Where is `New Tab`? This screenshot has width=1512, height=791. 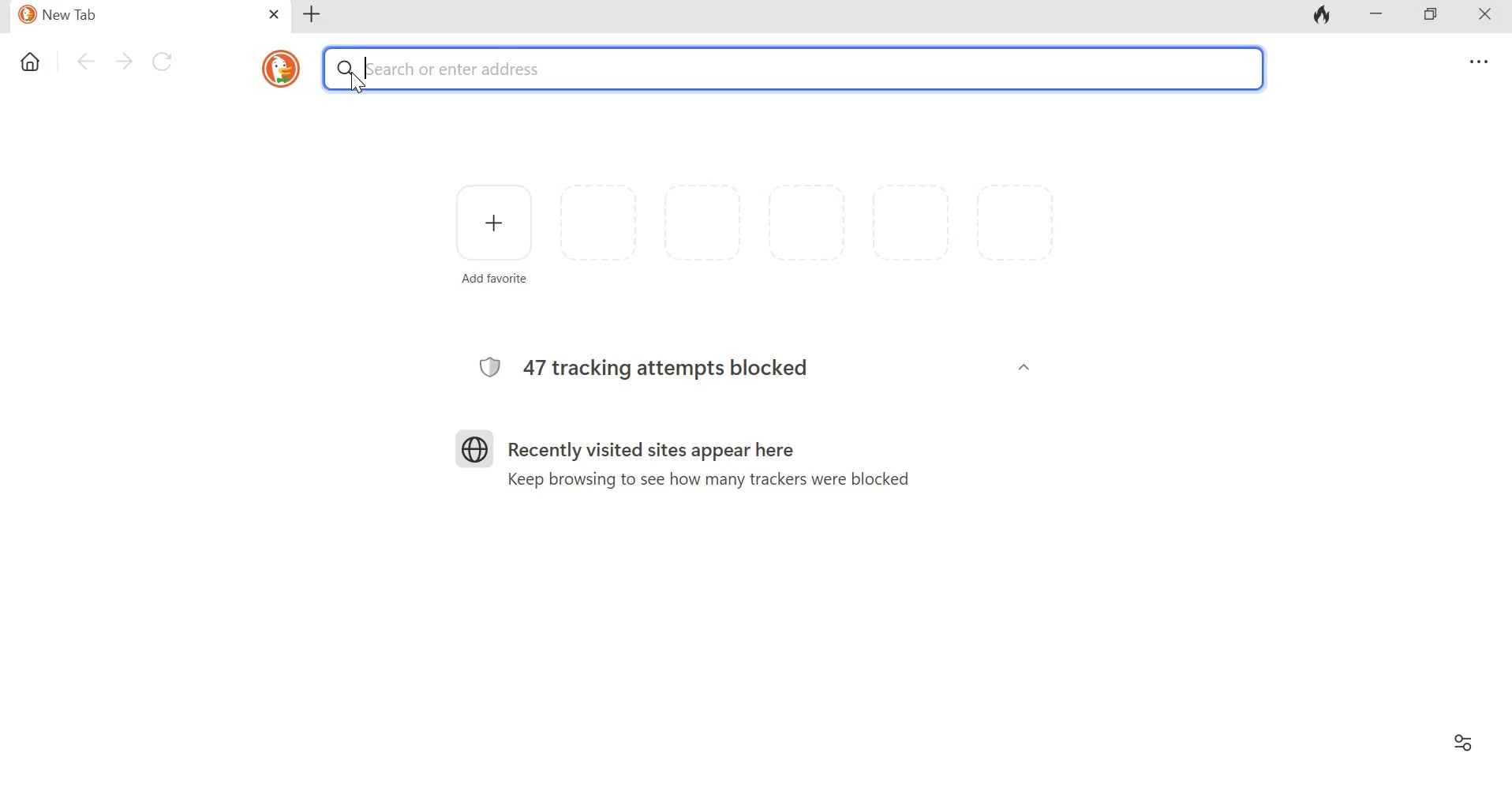
New Tab is located at coordinates (128, 17).